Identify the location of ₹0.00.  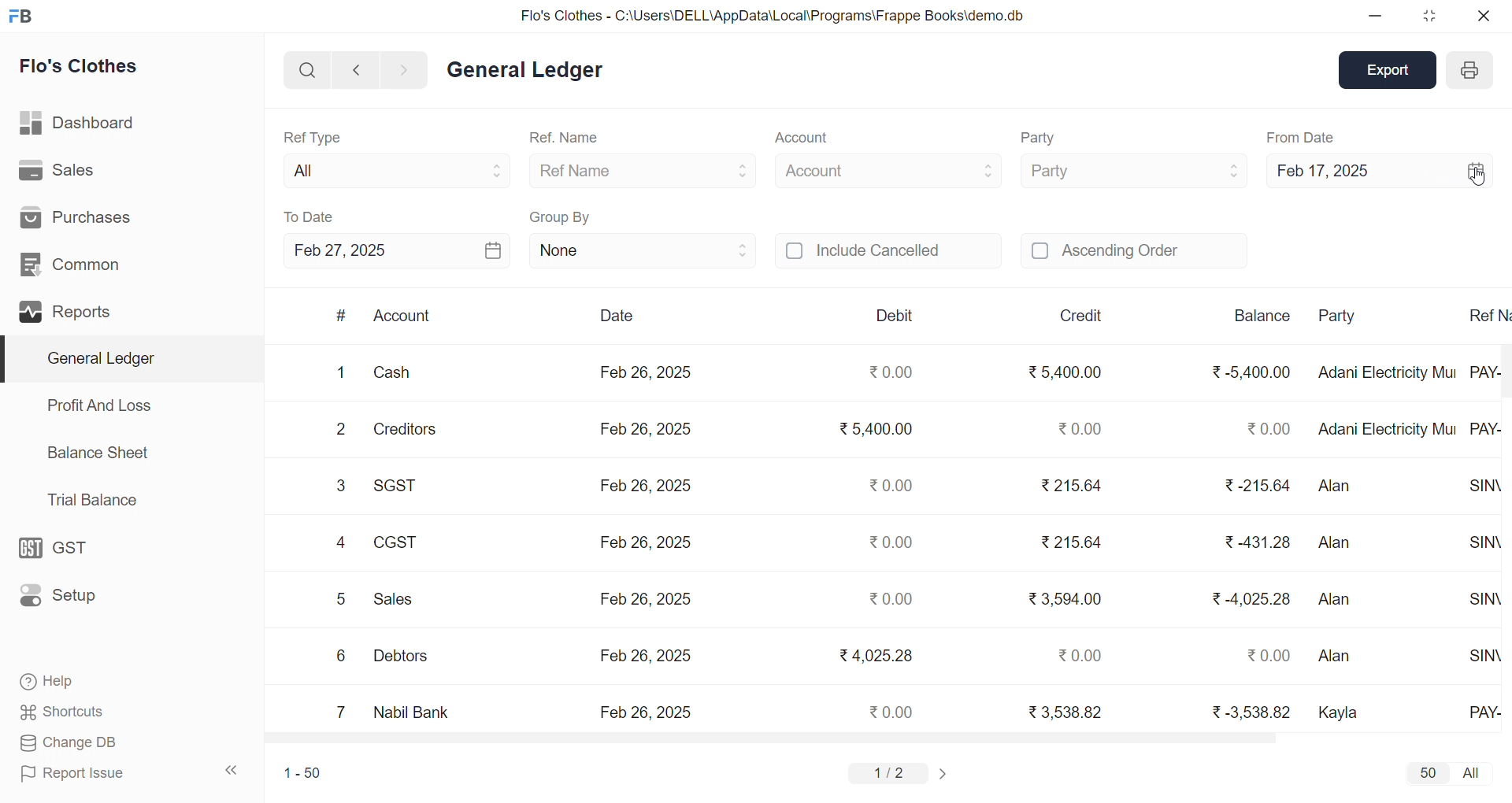
(889, 485).